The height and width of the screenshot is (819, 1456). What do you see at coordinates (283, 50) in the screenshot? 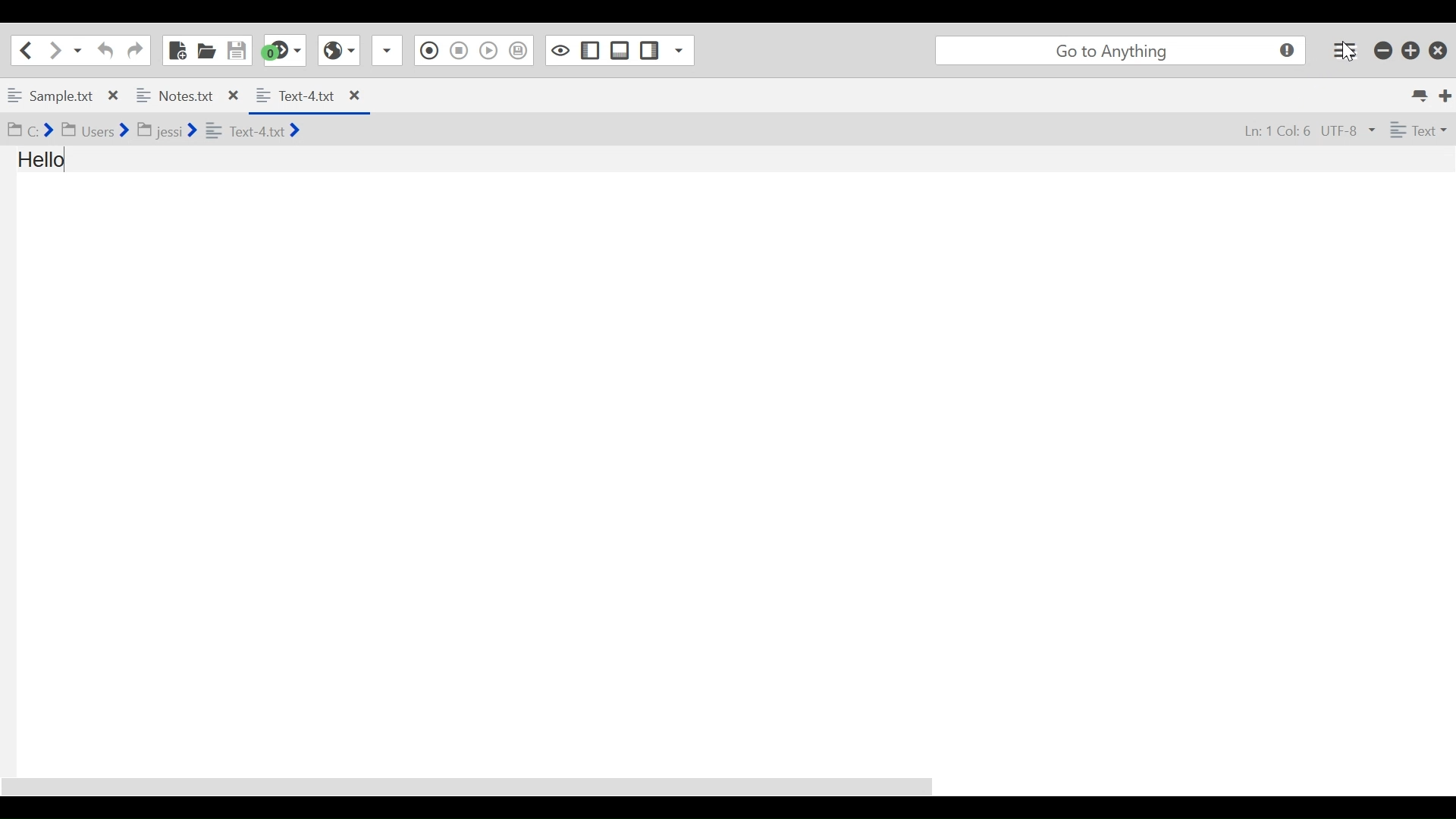
I see `Jump to the next syntax checking result` at bounding box center [283, 50].